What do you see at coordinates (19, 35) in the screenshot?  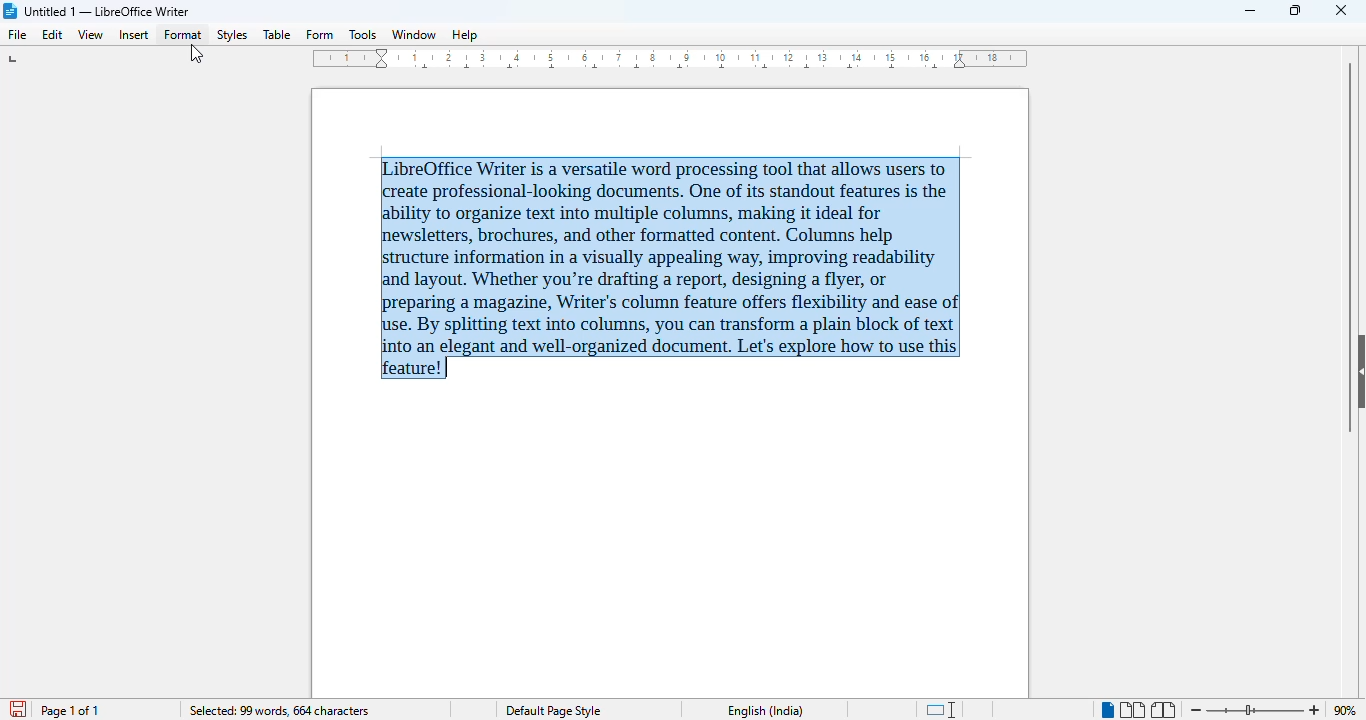 I see `file` at bounding box center [19, 35].